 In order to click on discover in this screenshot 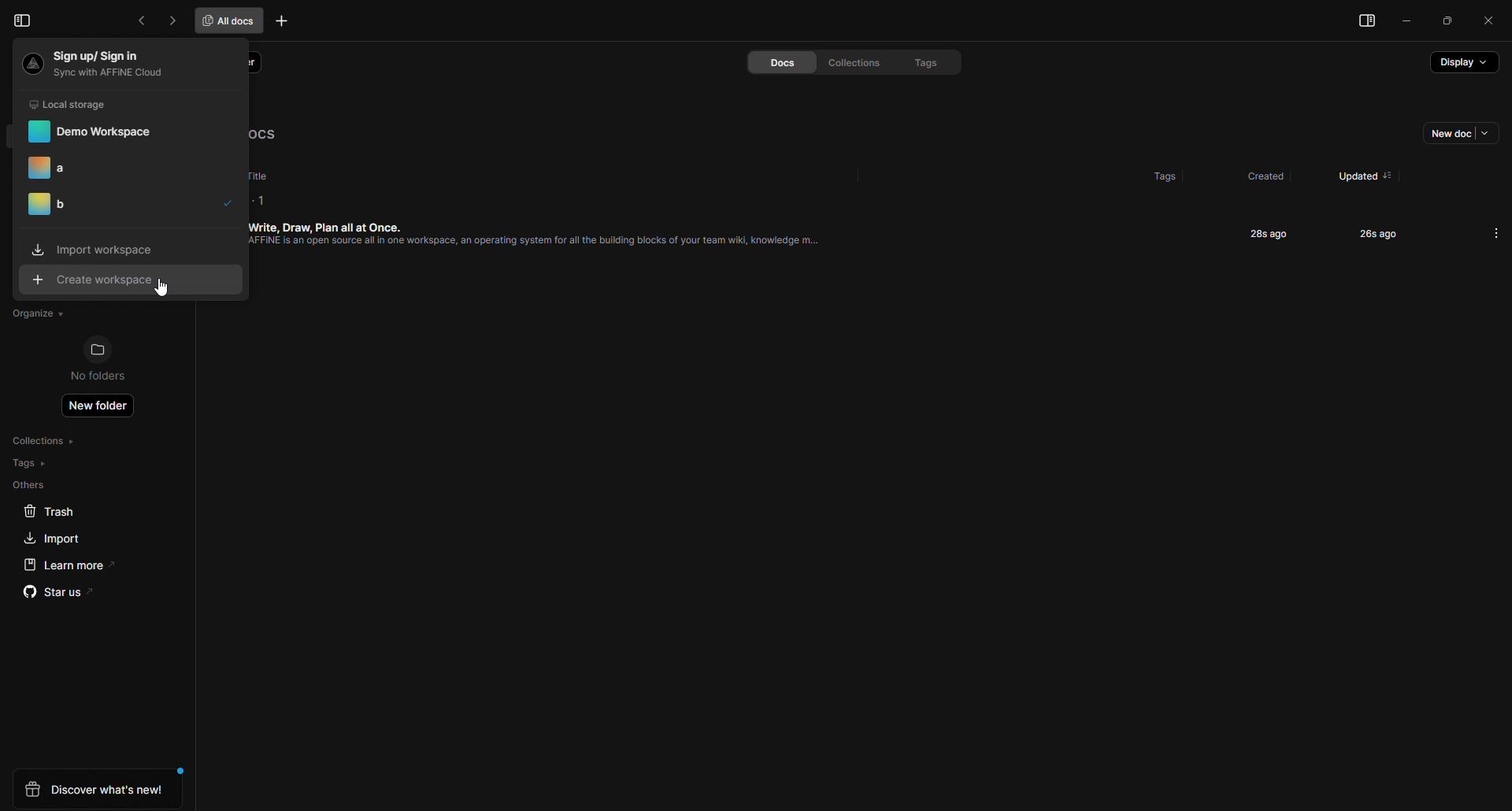, I will do `click(97, 789)`.